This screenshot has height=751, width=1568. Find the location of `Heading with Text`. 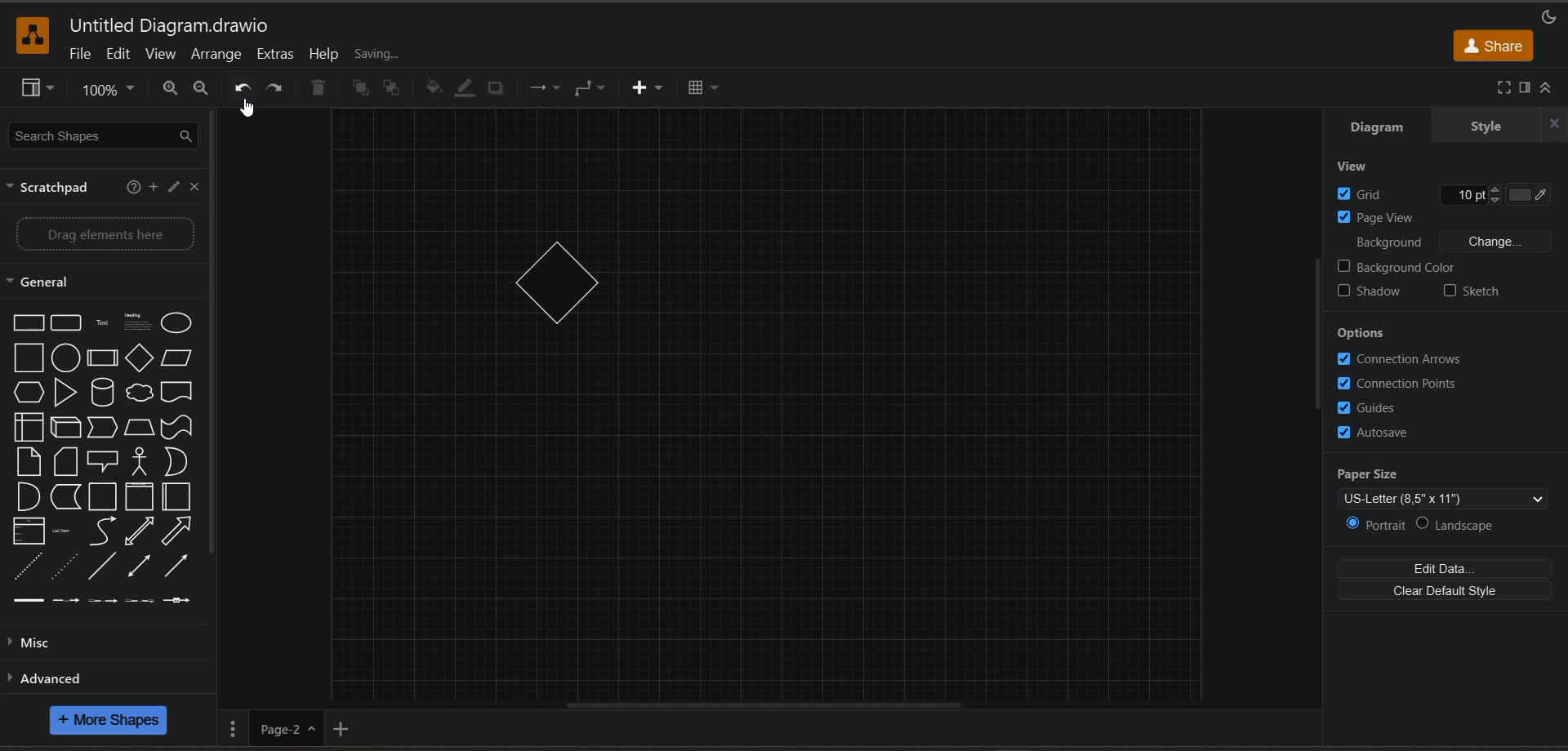

Heading with Text is located at coordinates (138, 322).